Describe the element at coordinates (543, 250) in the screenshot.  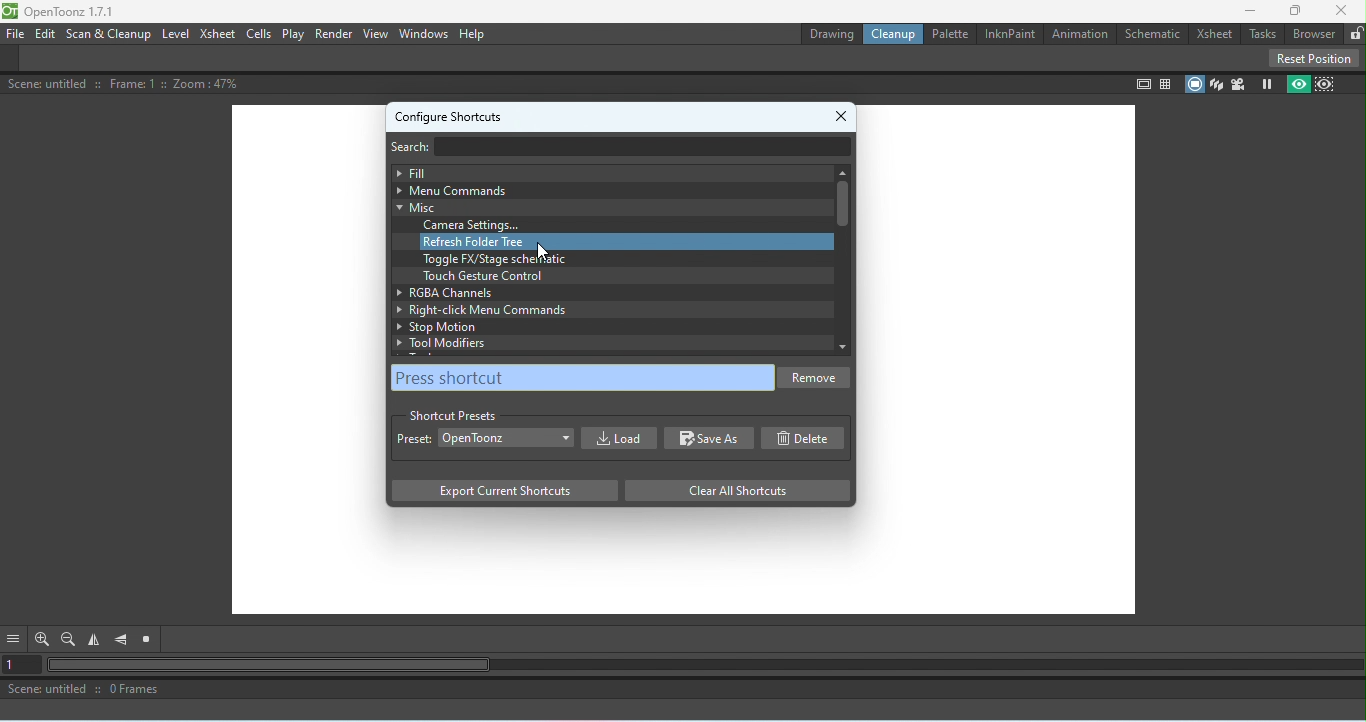
I see `Cursor` at that location.